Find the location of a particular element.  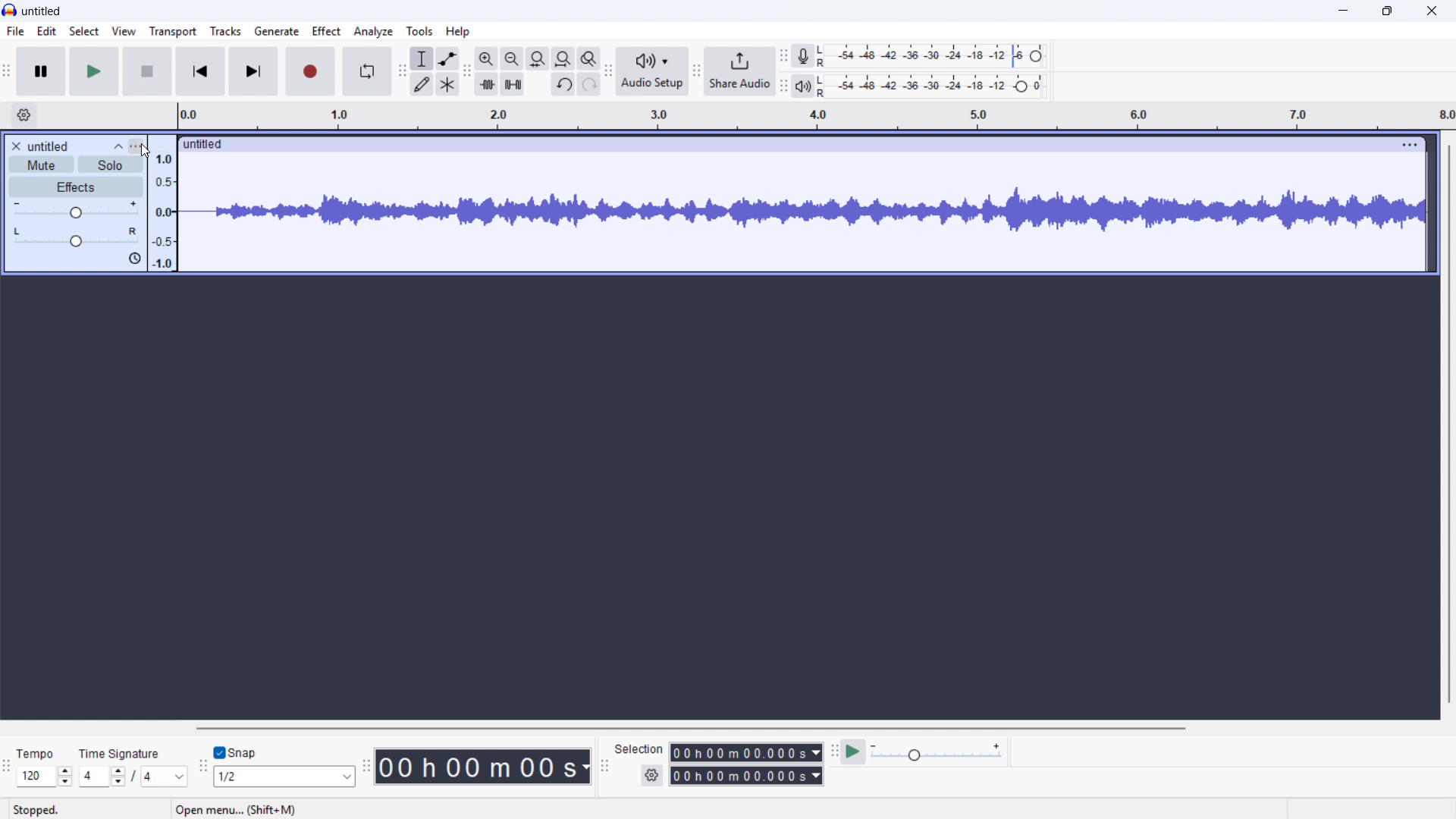

 is located at coordinates (937, 752).